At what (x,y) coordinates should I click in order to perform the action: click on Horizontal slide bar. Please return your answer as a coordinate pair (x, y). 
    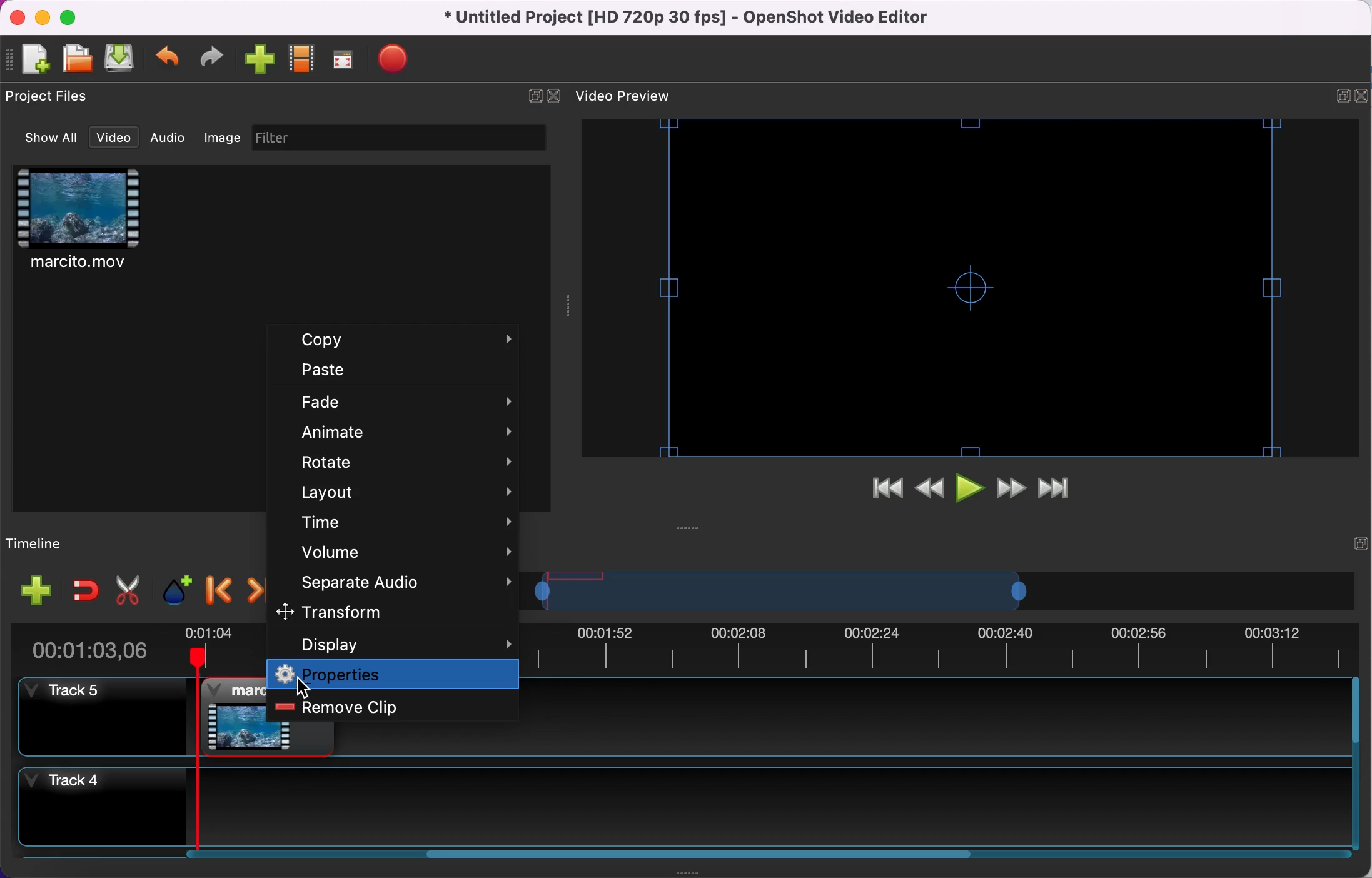
    Looking at the image, I should click on (699, 855).